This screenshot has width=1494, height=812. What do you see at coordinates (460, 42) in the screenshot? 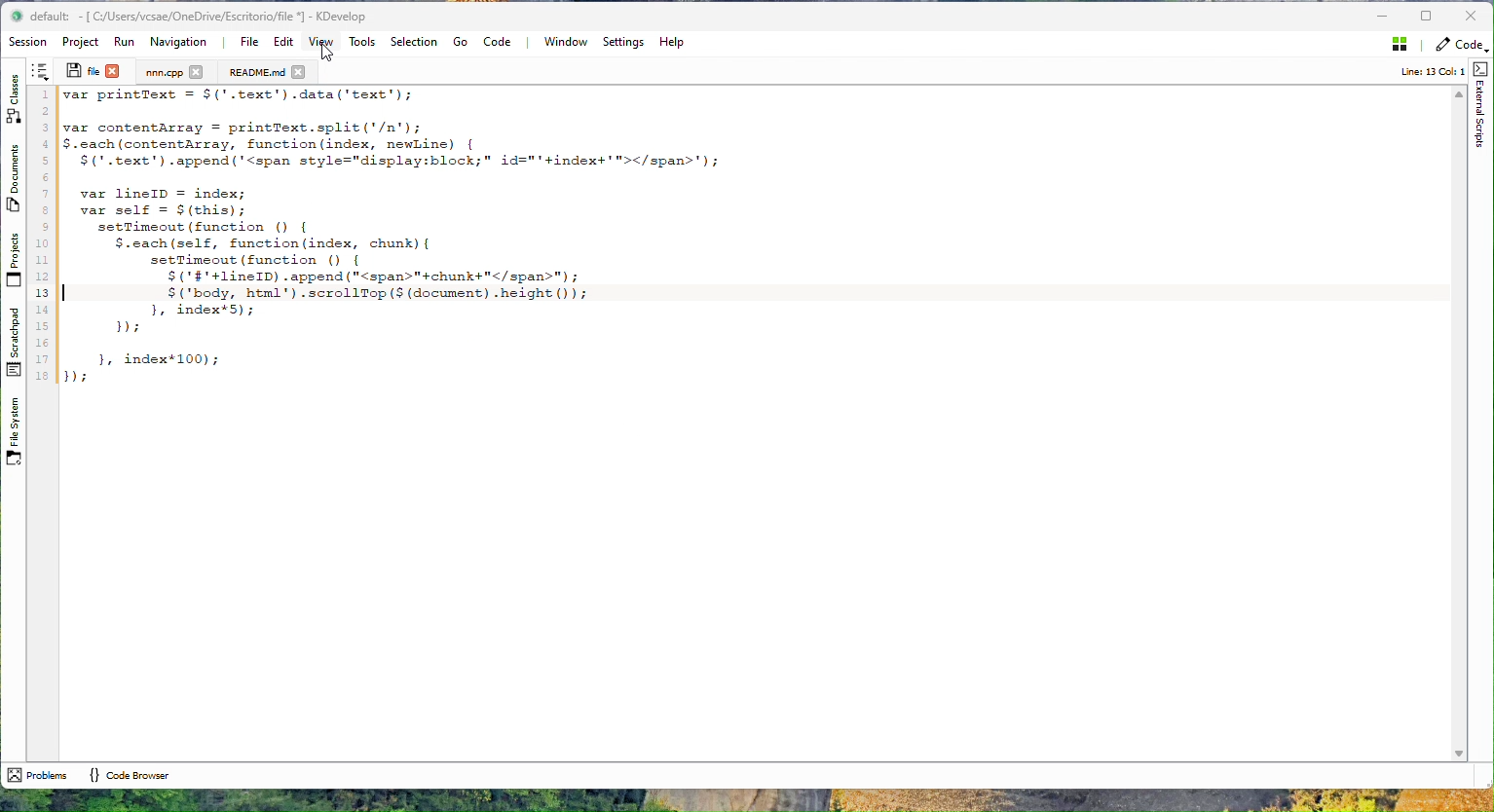
I see `` at bounding box center [460, 42].